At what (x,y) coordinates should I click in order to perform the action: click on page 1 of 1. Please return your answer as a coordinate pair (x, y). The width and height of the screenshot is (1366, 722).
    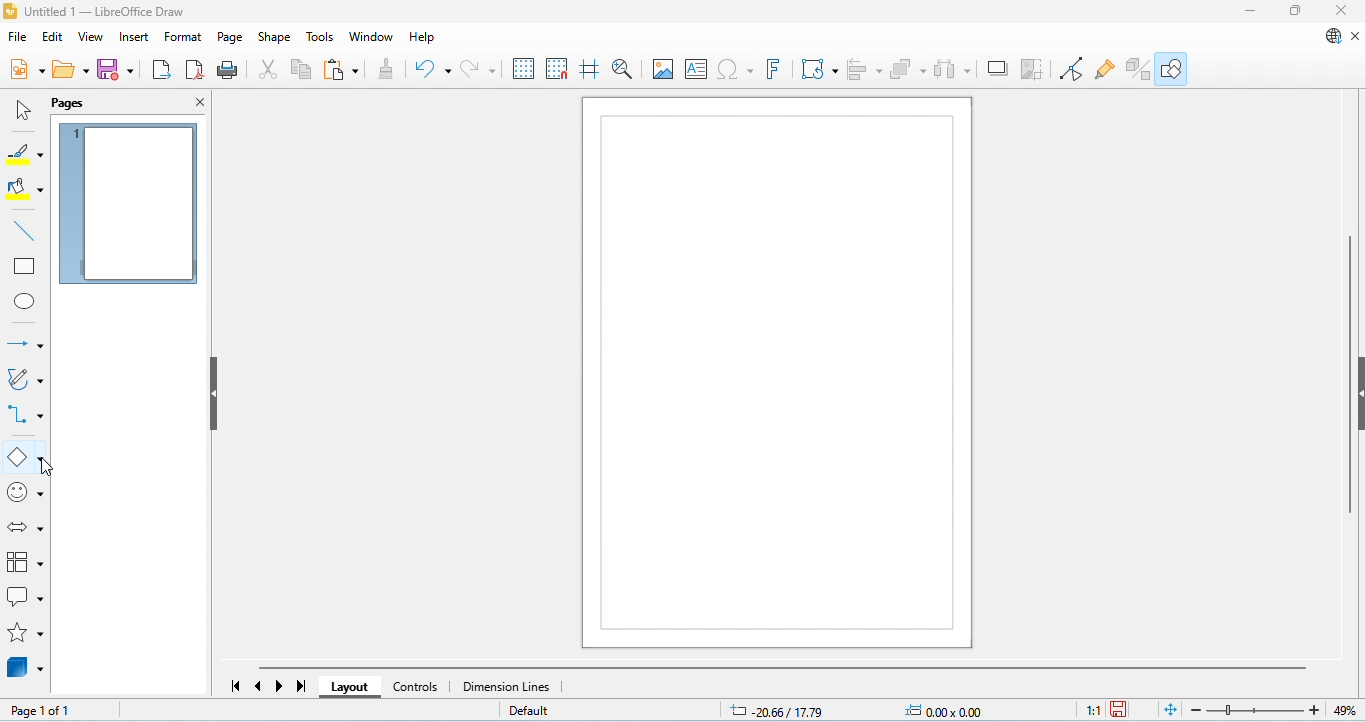
    Looking at the image, I should click on (40, 710).